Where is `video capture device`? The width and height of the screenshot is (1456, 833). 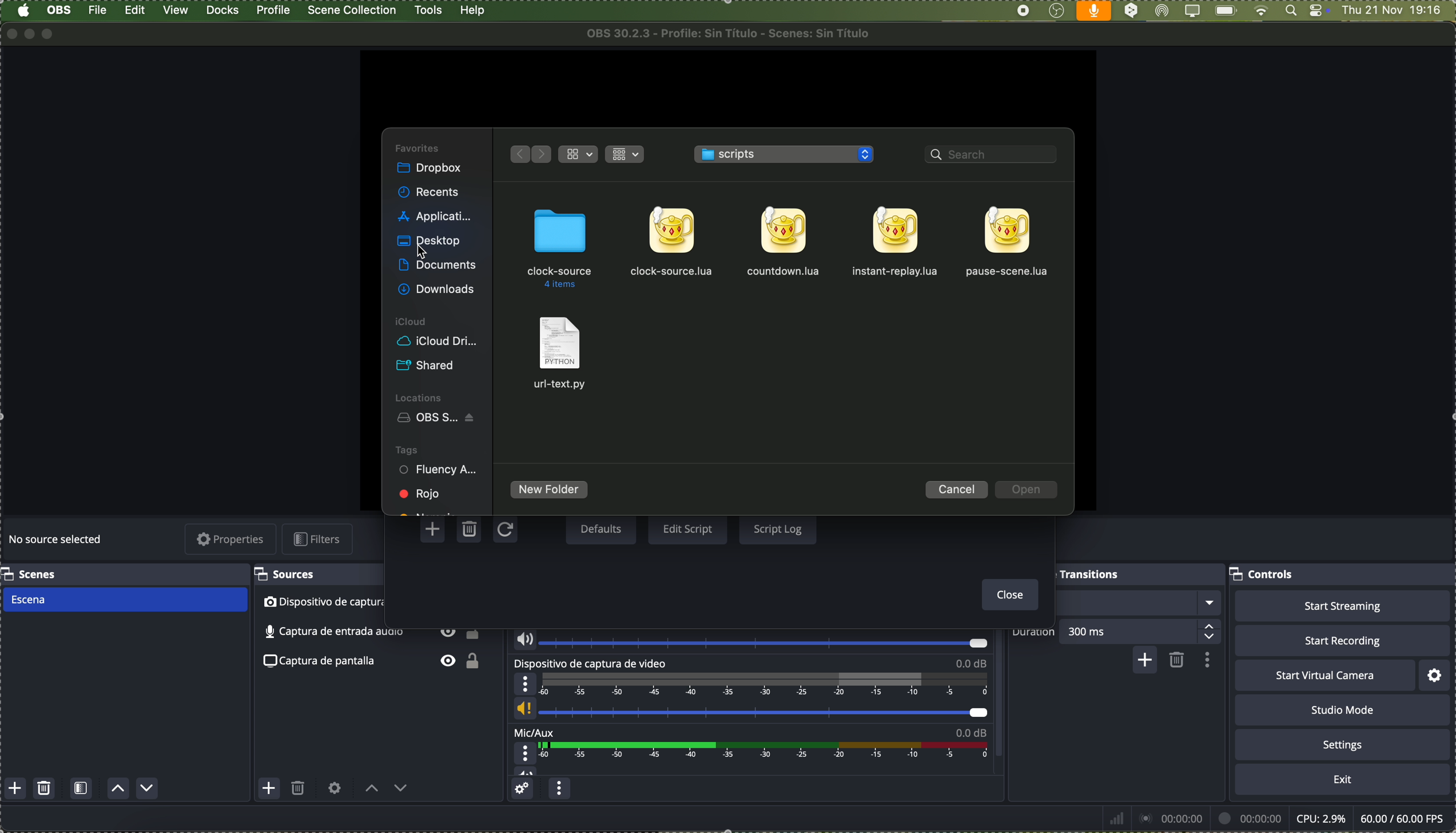 video capture device is located at coordinates (751, 691).